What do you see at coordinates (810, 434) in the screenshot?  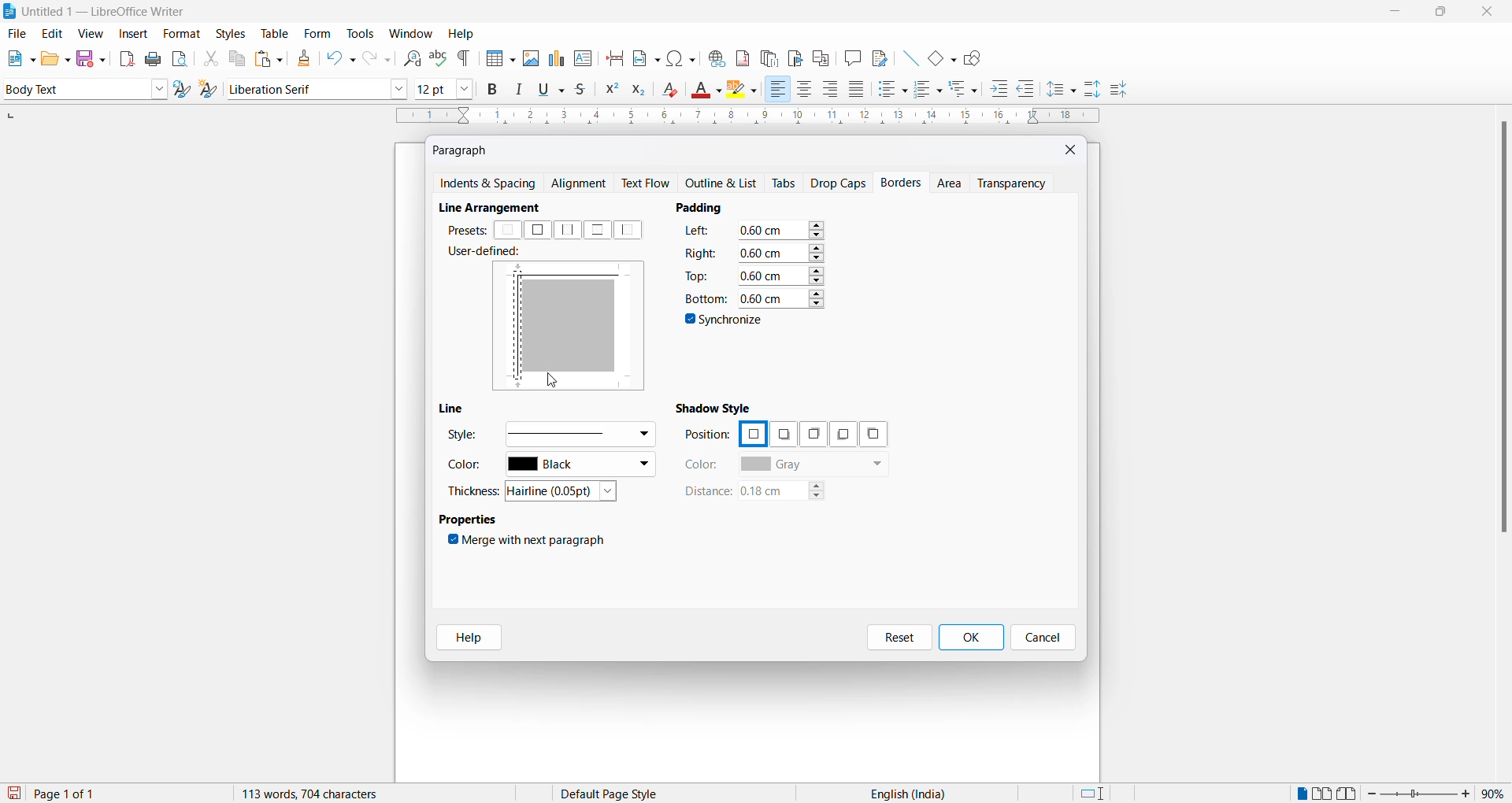 I see `position options` at bounding box center [810, 434].